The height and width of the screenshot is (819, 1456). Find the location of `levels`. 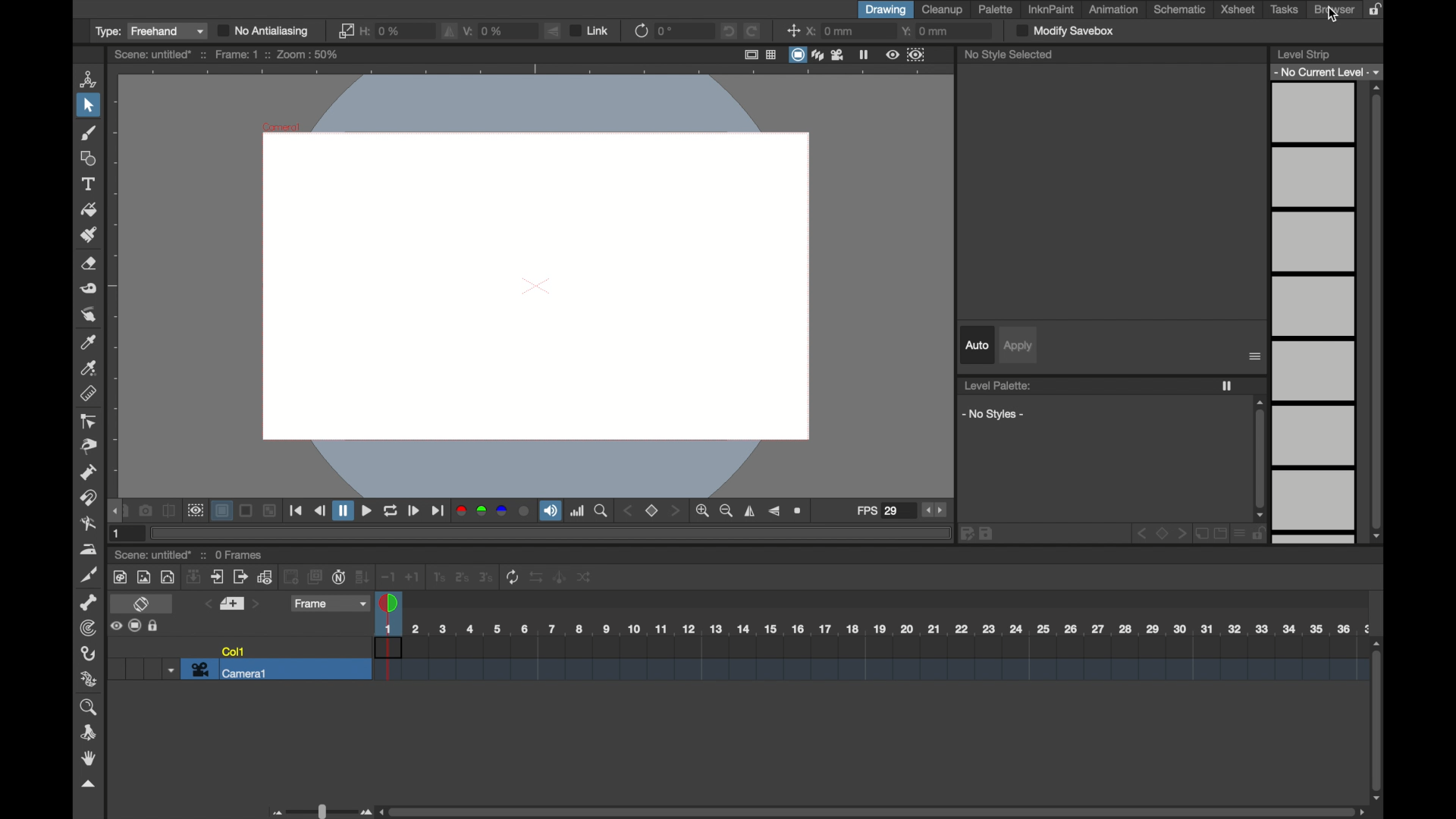

levels is located at coordinates (1328, 71).